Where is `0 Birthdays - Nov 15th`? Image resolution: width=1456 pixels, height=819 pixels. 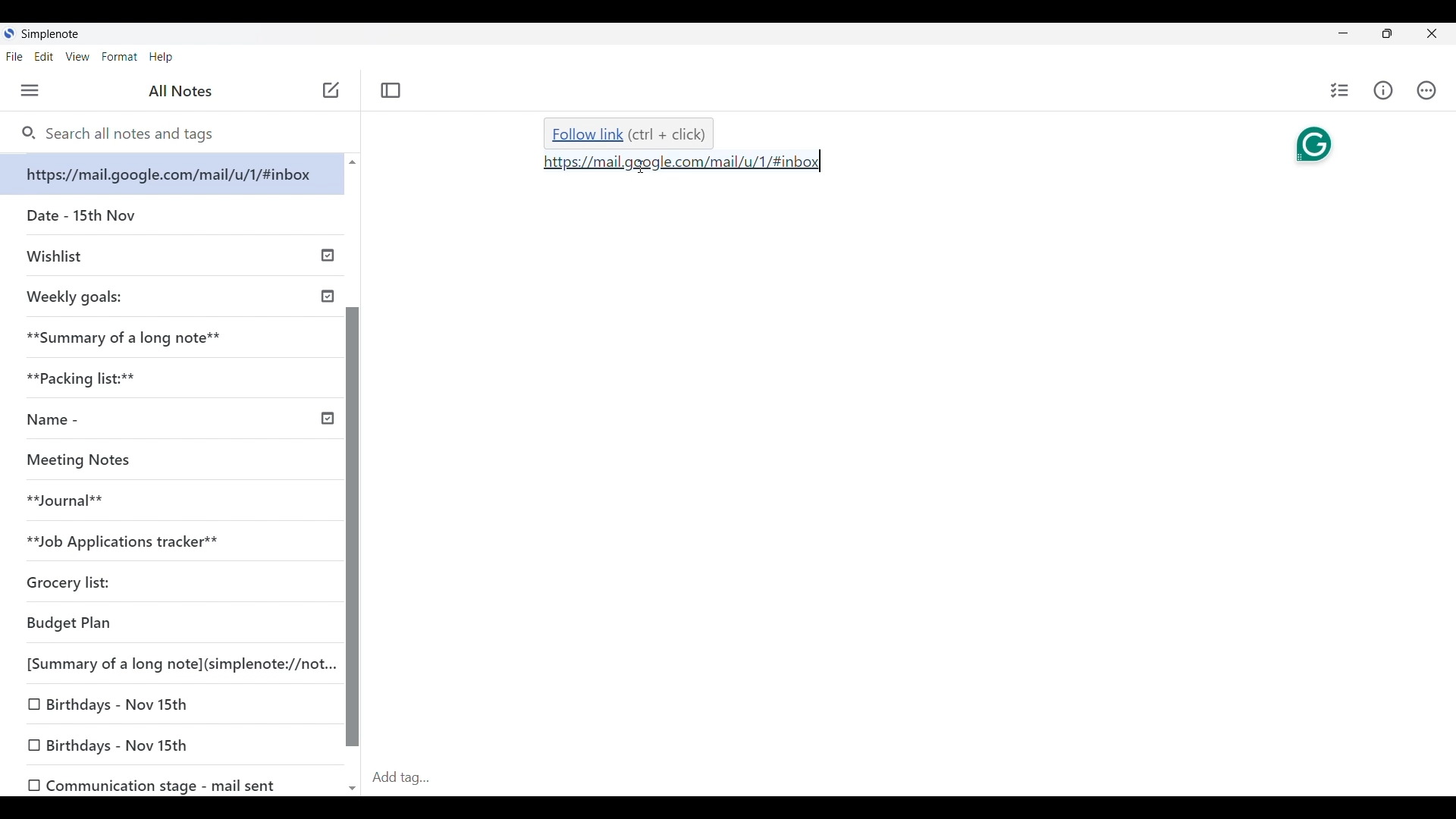
0 Birthdays - Nov 15th is located at coordinates (105, 743).